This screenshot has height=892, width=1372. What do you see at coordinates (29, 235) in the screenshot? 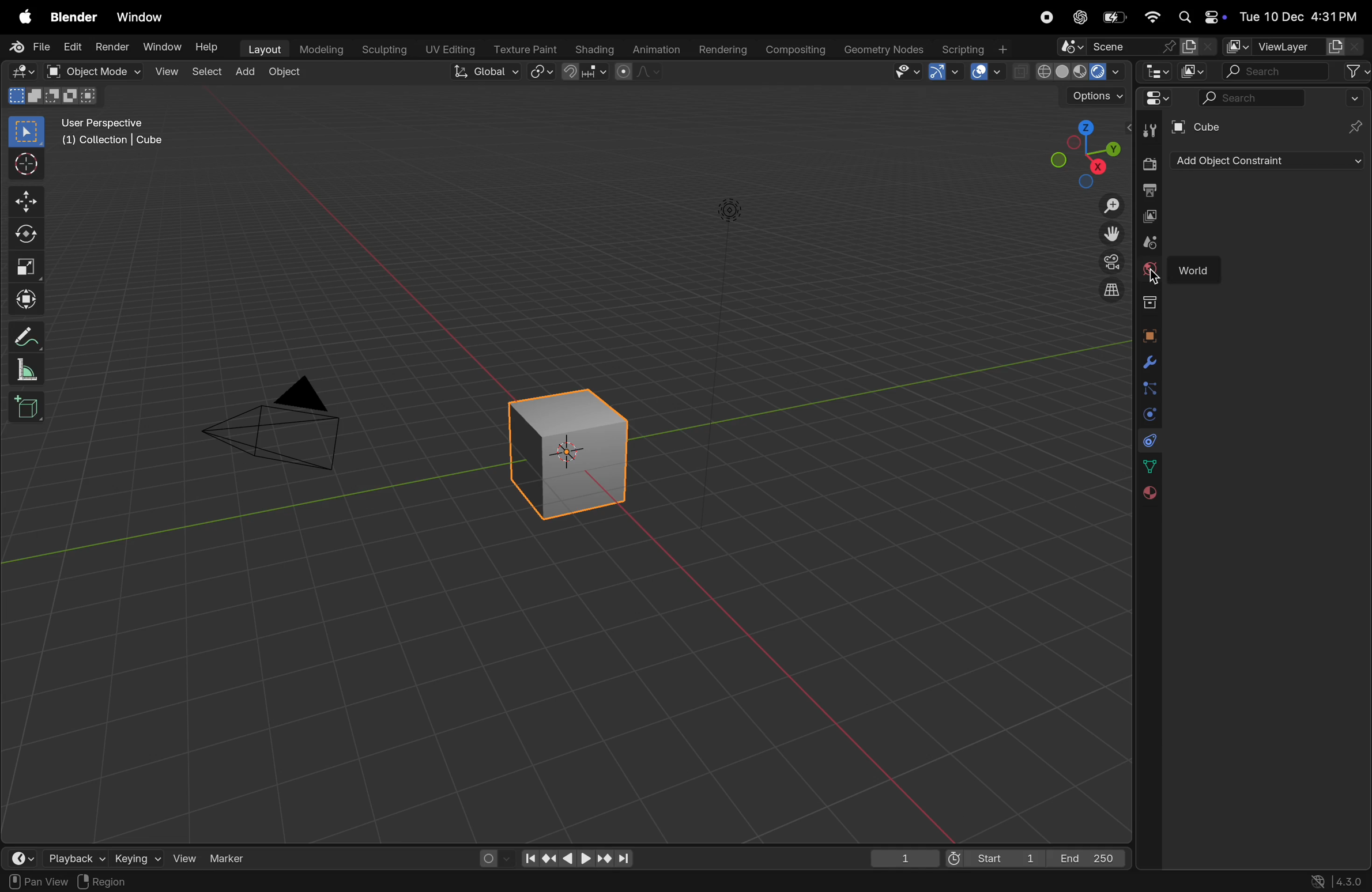
I see `transform` at bounding box center [29, 235].